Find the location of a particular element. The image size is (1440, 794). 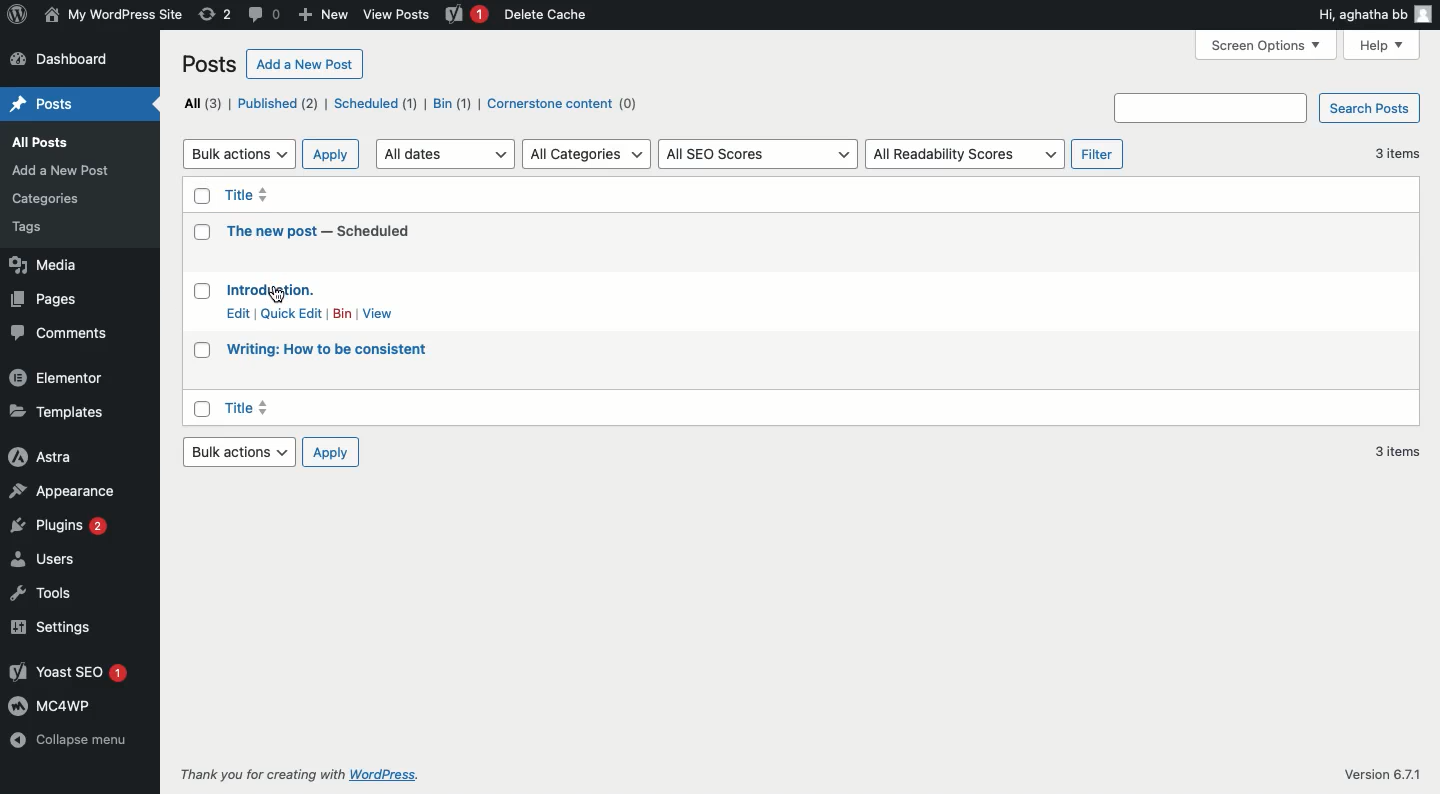

Plugins is located at coordinates (61, 526).